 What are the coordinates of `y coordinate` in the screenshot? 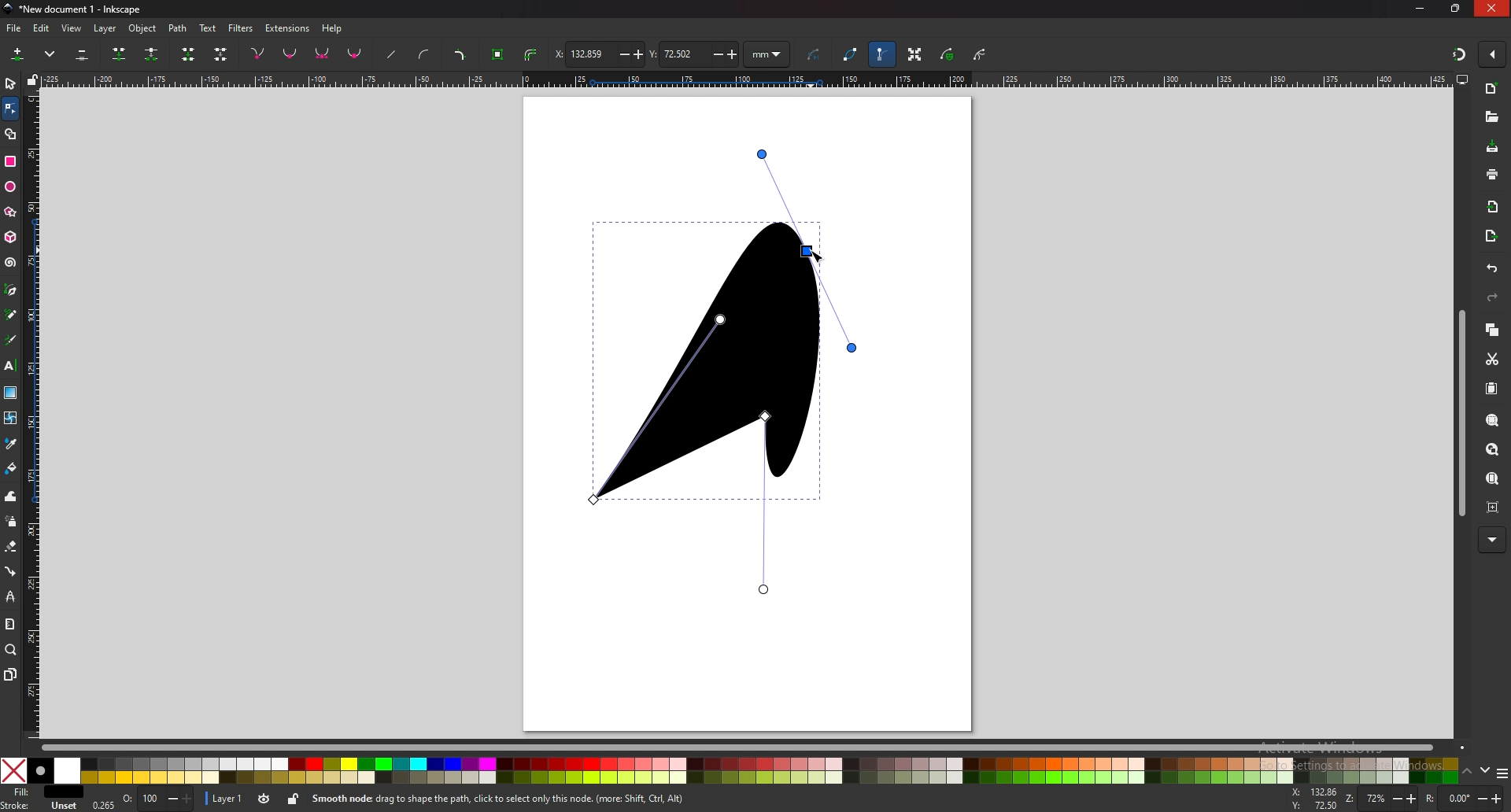 It's located at (694, 53).